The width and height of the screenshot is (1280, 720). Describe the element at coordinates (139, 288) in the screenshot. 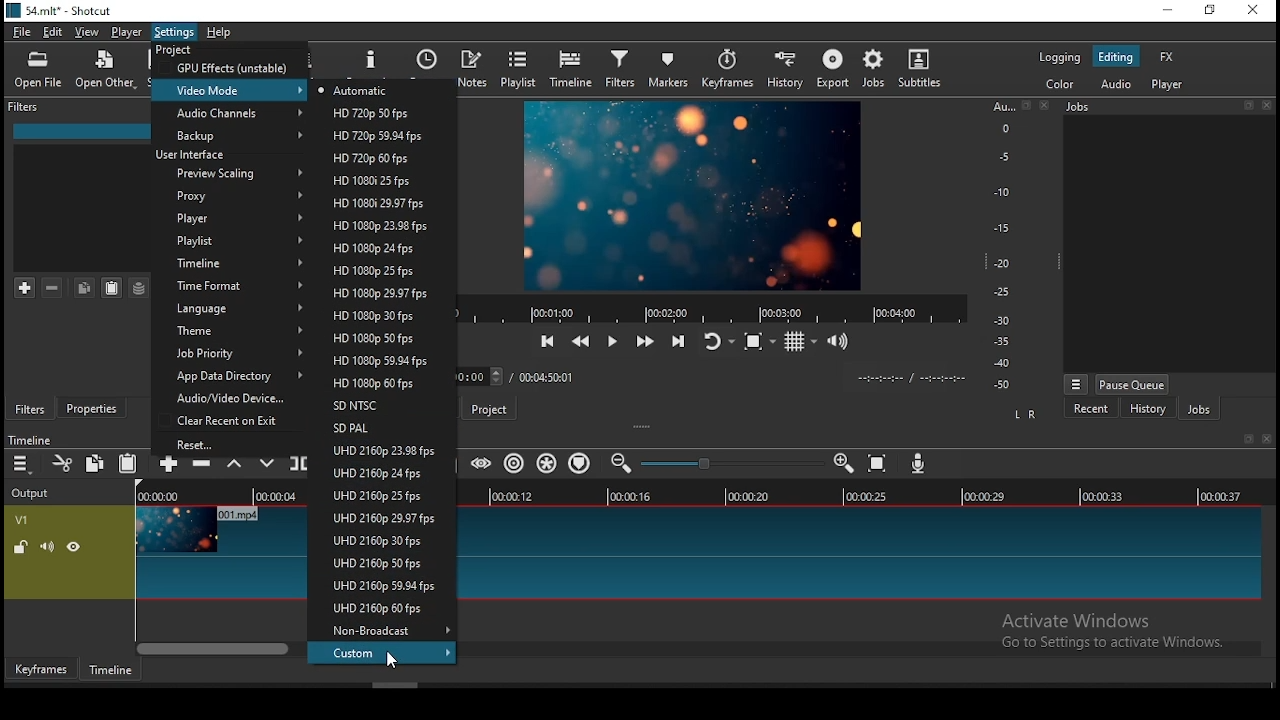

I see `save filter set` at that location.